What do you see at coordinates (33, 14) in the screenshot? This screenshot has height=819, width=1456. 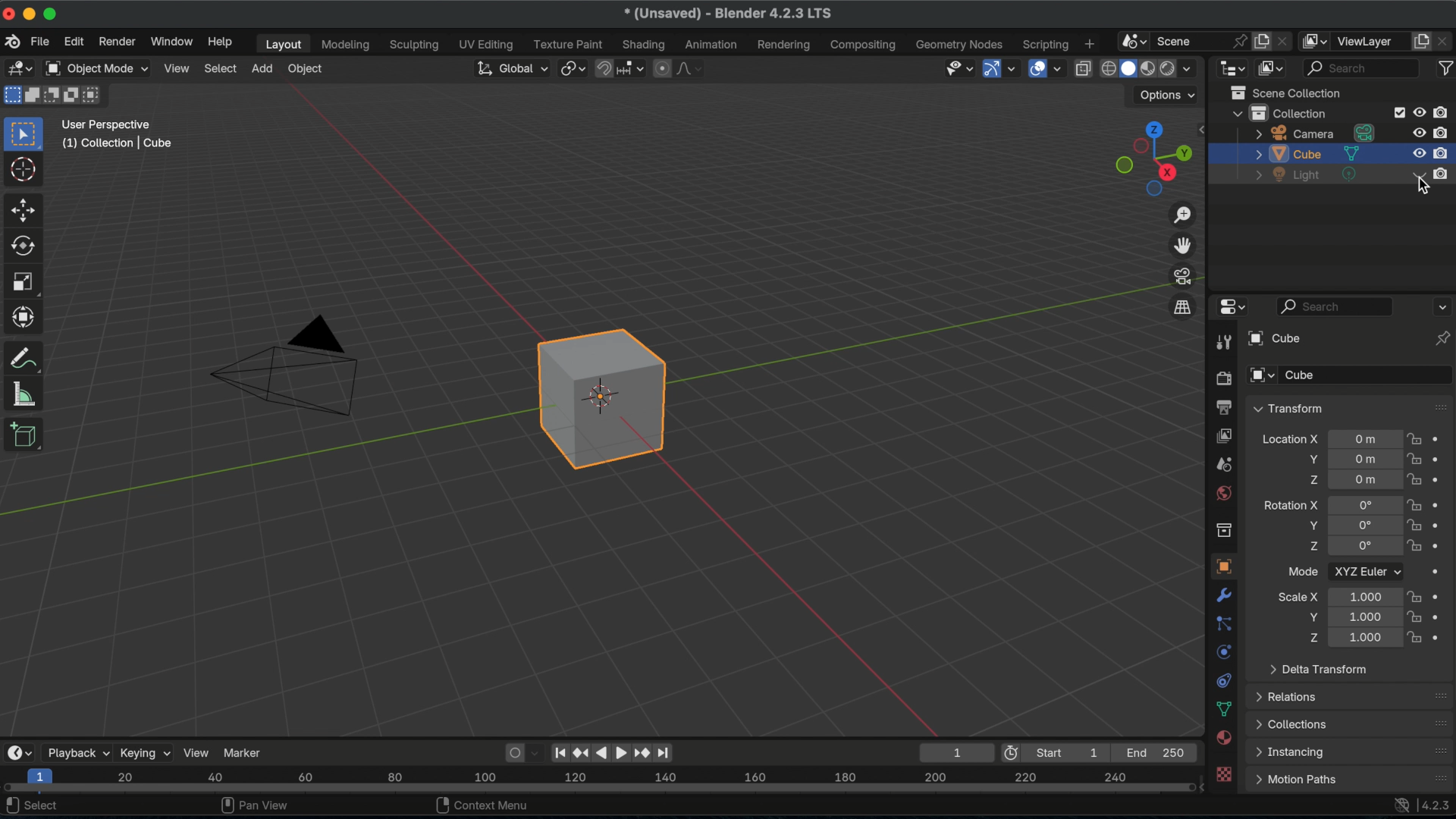 I see `disabled minimize icon` at bounding box center [33, 14].